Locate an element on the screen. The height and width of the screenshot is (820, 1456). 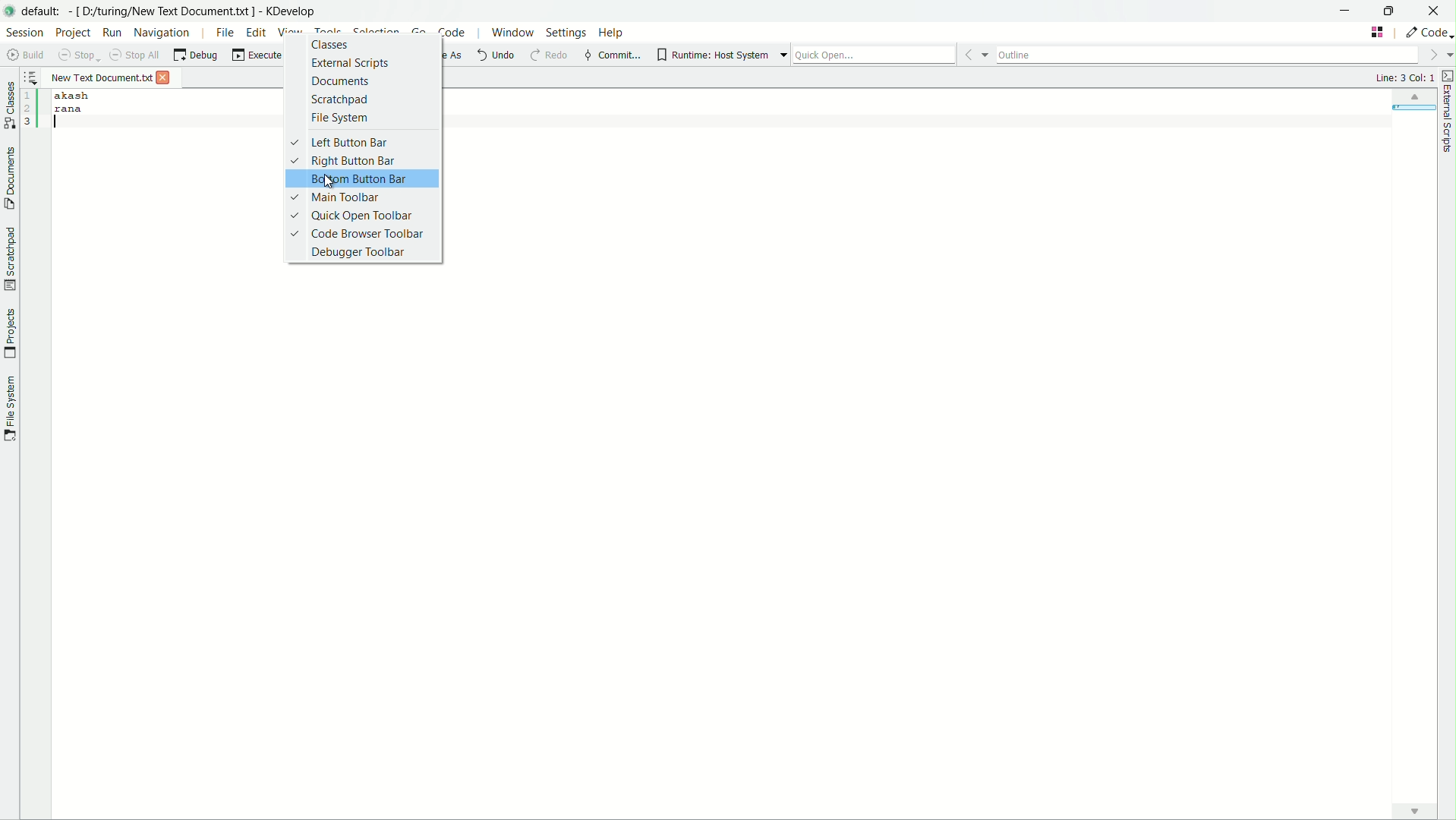
new text document is located at coordinates (100, 76).